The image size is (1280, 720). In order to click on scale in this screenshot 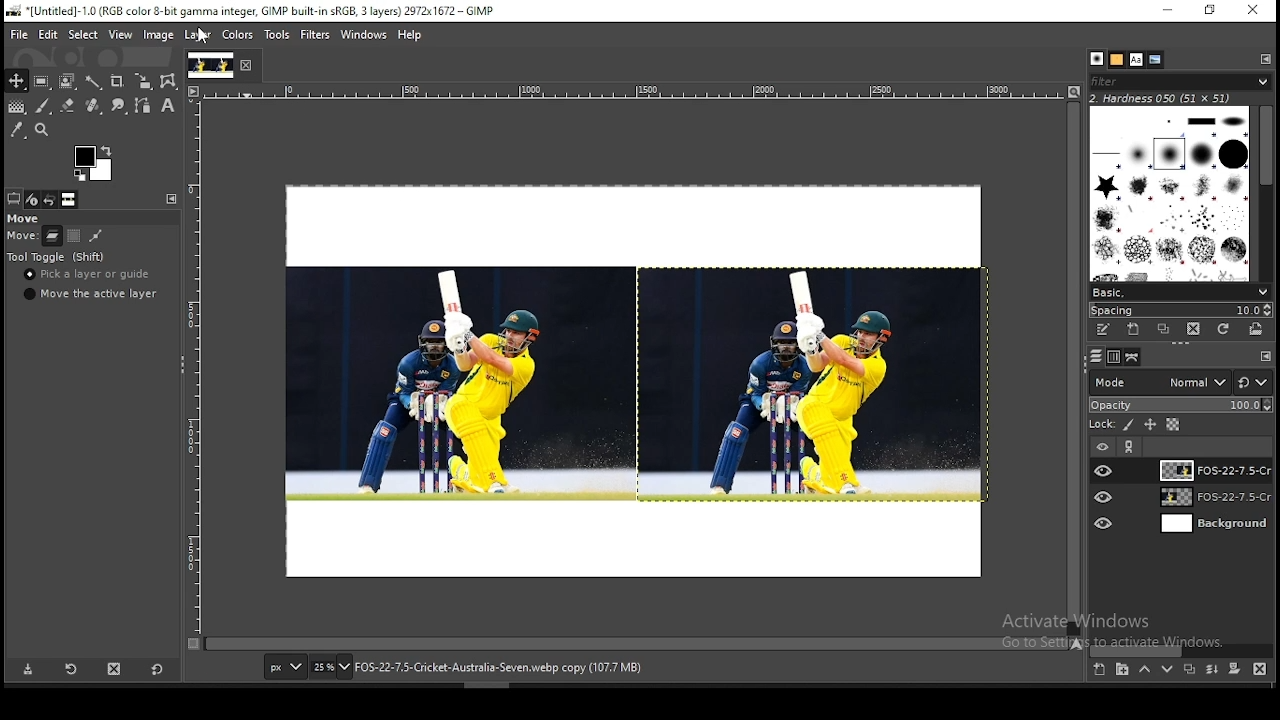, I will do `click(196, 366)`.